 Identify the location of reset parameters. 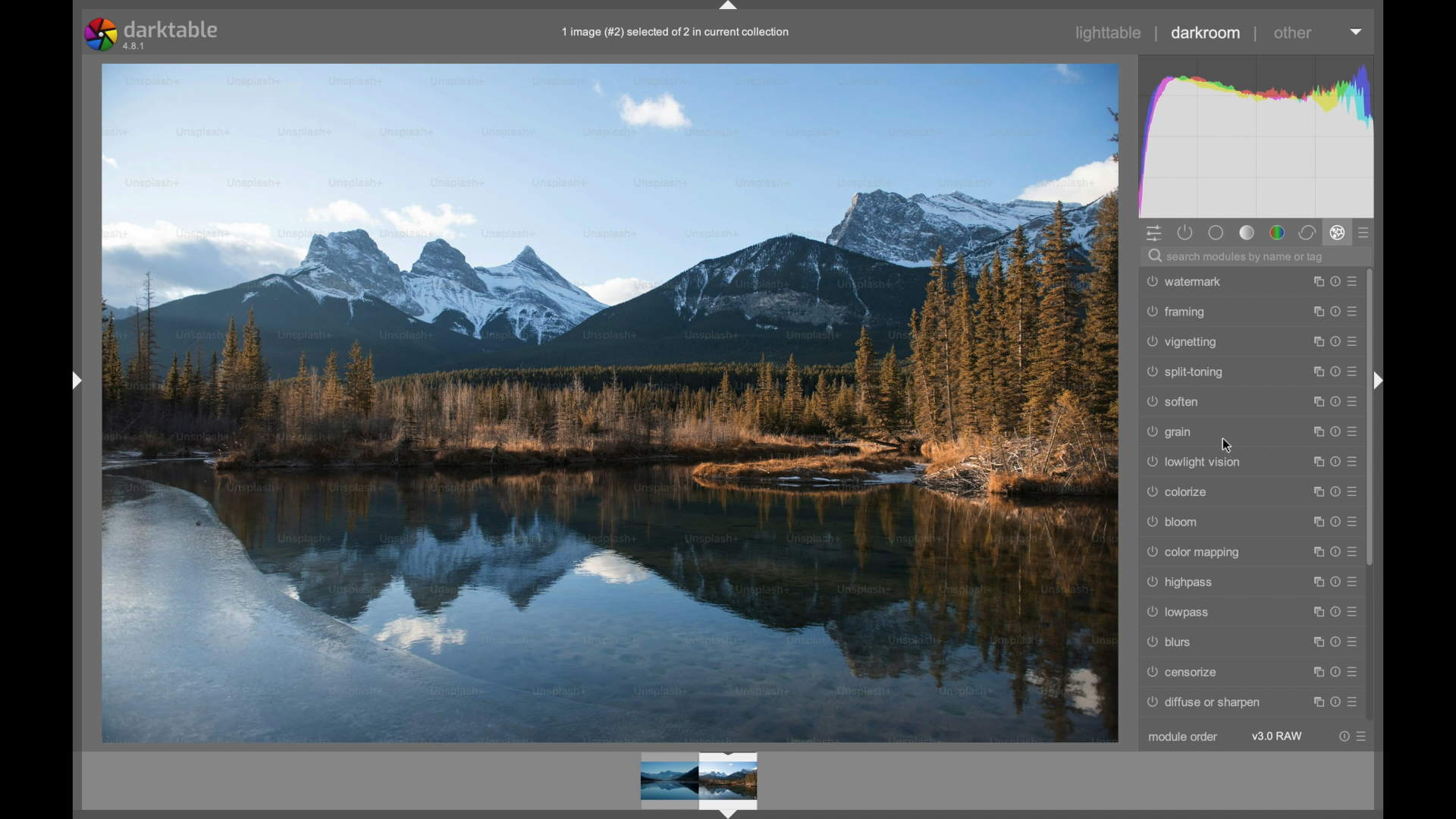
(1332, 552).